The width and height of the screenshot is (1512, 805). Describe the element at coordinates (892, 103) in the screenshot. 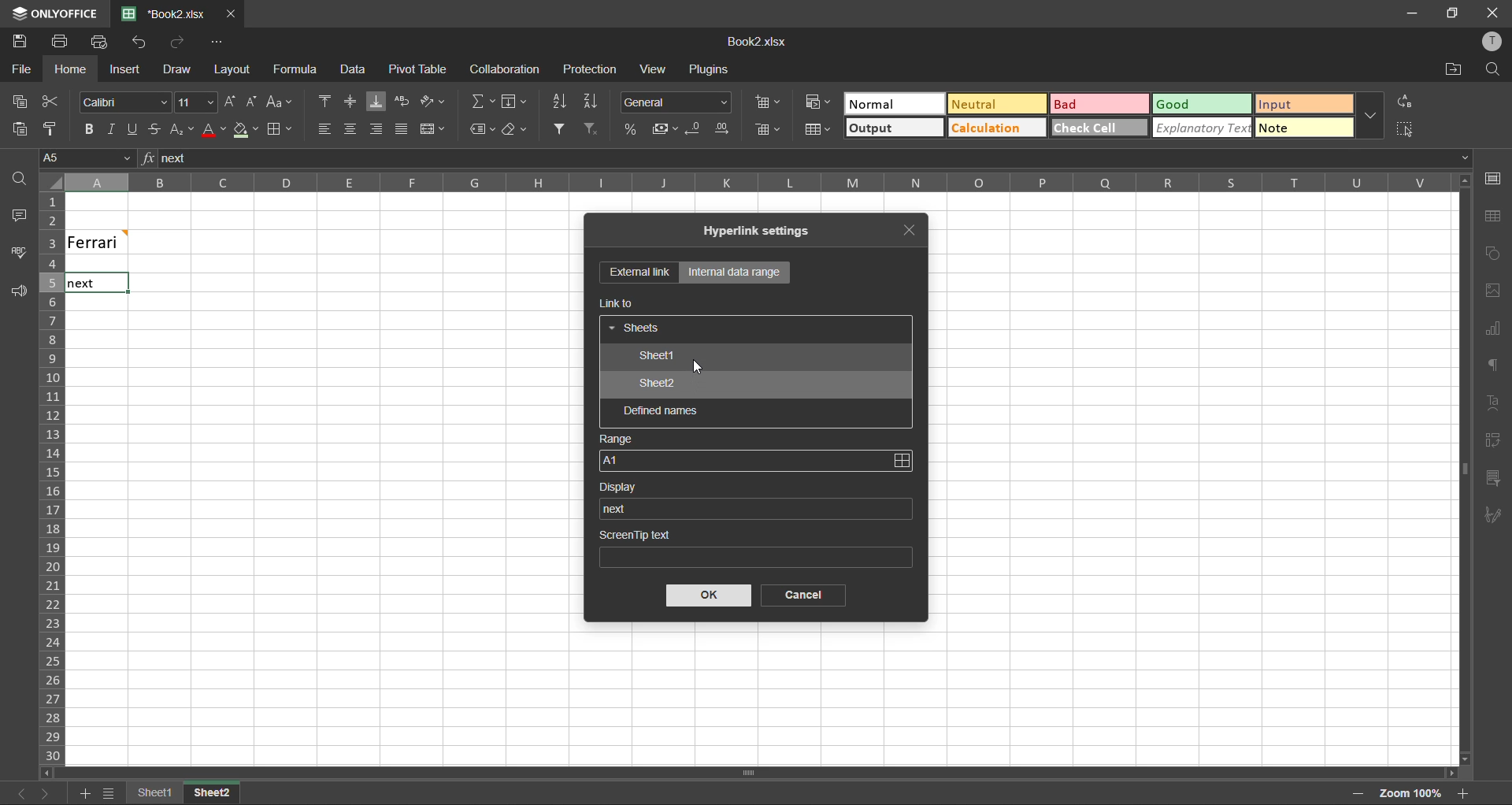

I see `normal` at that location.